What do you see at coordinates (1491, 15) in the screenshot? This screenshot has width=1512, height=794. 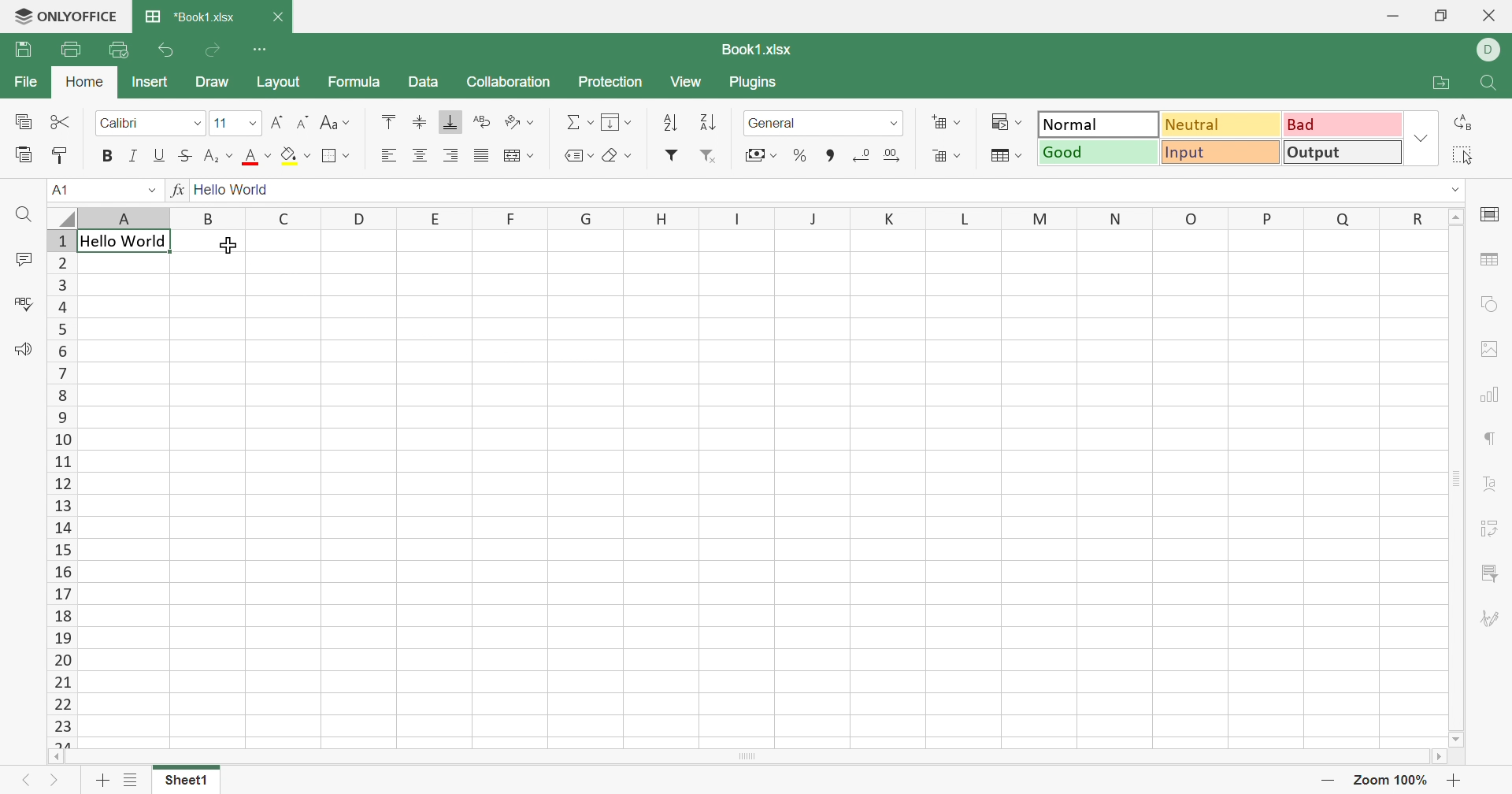 I see `Close` at bounding box center [1491, 15].